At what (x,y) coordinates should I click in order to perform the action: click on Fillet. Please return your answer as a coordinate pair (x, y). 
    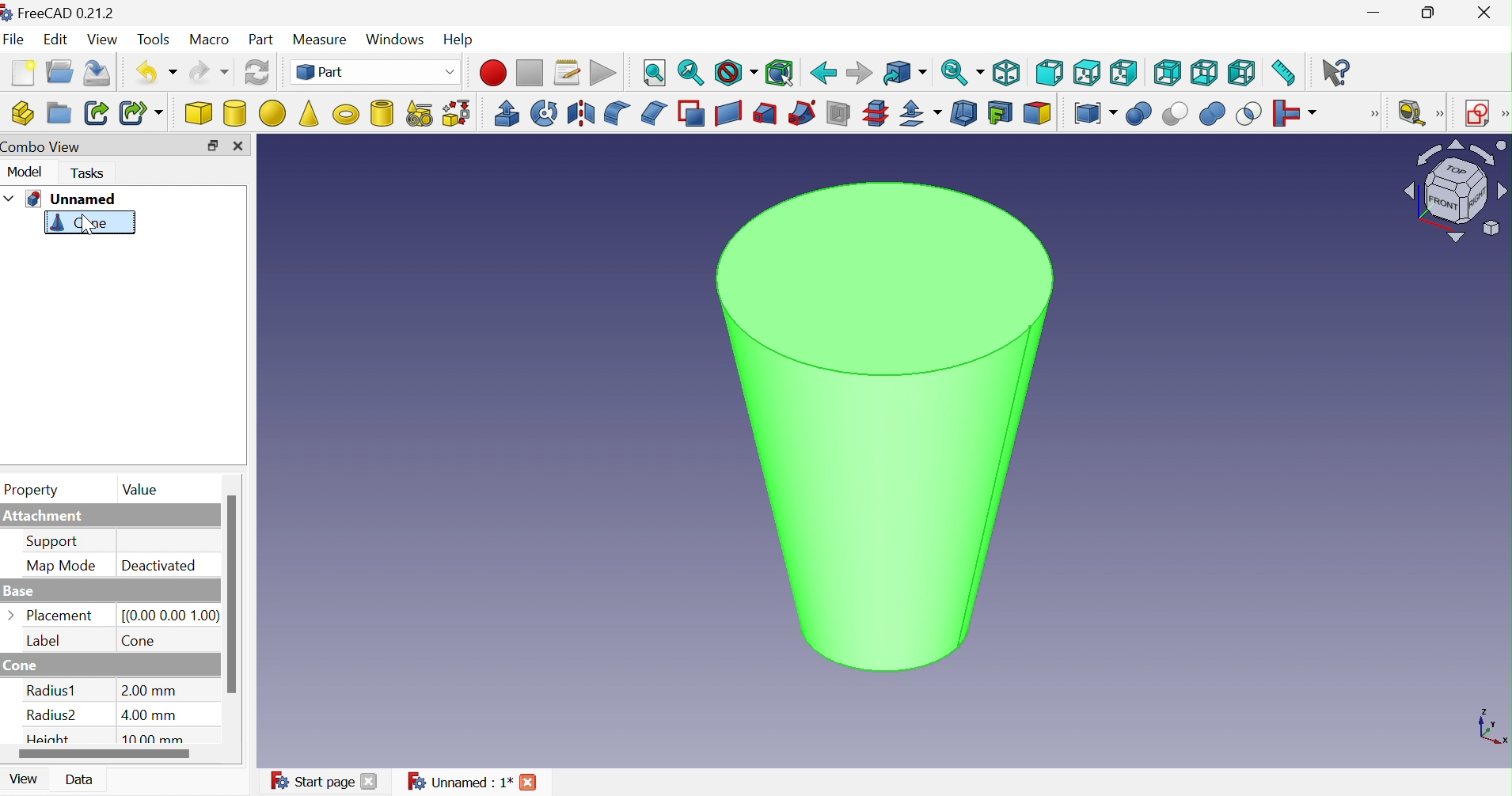
    Looking at the image, I should click on (617, 112).